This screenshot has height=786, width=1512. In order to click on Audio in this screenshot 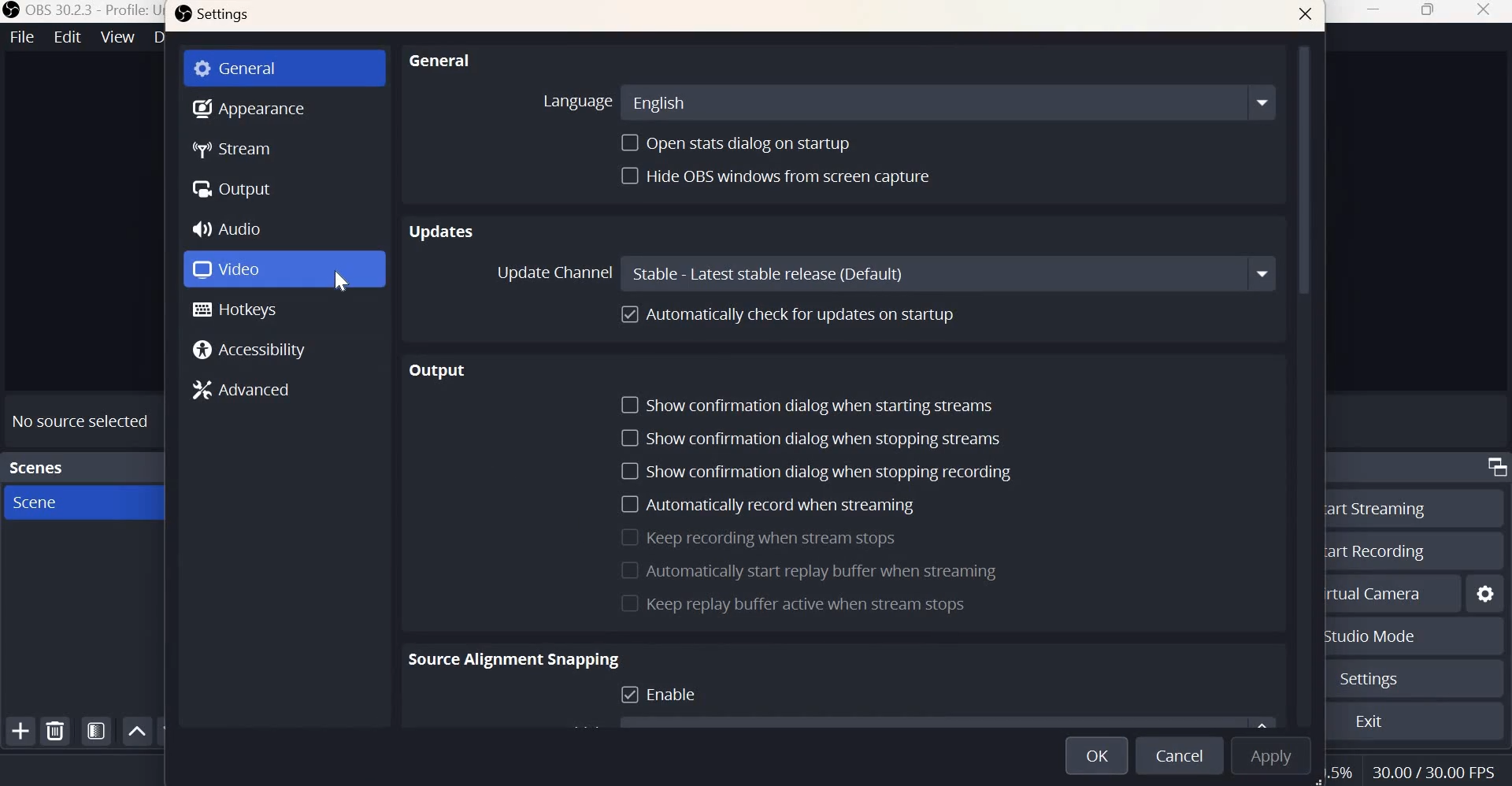, I will do `click(232, 226)`.